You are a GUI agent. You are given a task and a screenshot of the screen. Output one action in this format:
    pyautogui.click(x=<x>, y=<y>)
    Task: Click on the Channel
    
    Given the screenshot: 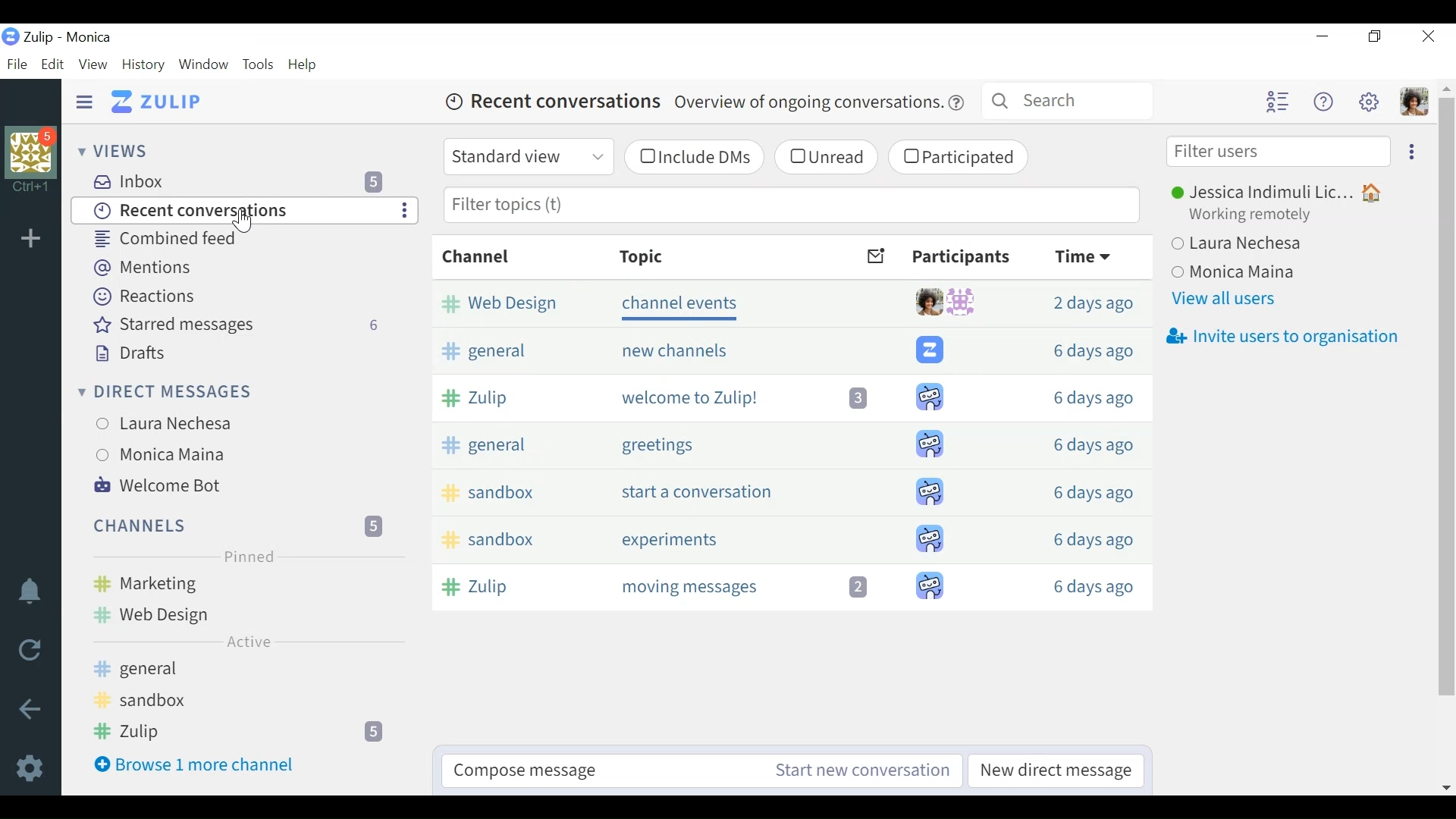 What is the action you would take?
    pyautogui.click(x=475, y=256)
    